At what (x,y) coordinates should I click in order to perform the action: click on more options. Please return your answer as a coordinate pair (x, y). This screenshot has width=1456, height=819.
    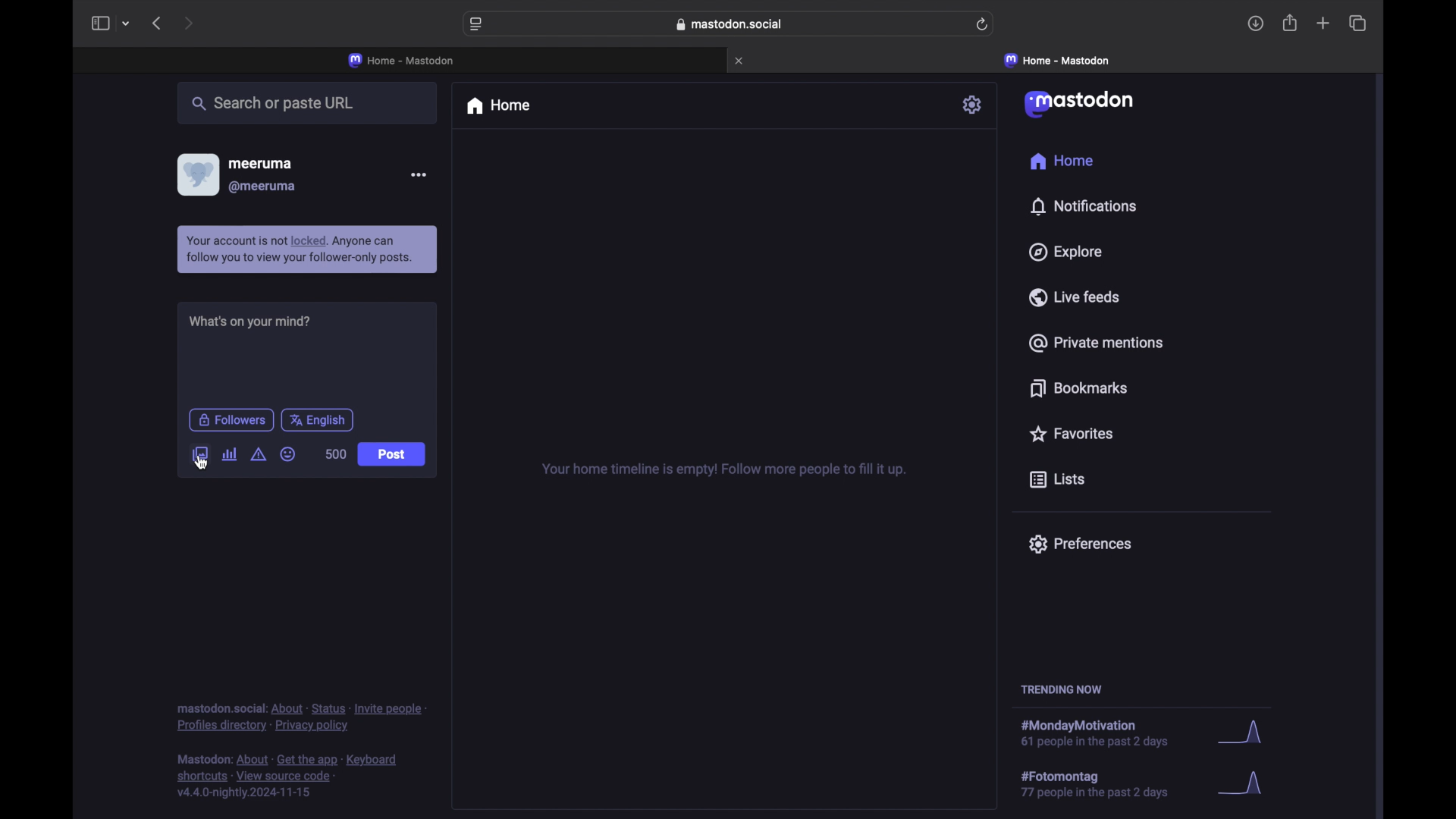
    Looking at the image, I should click on (419, 174).